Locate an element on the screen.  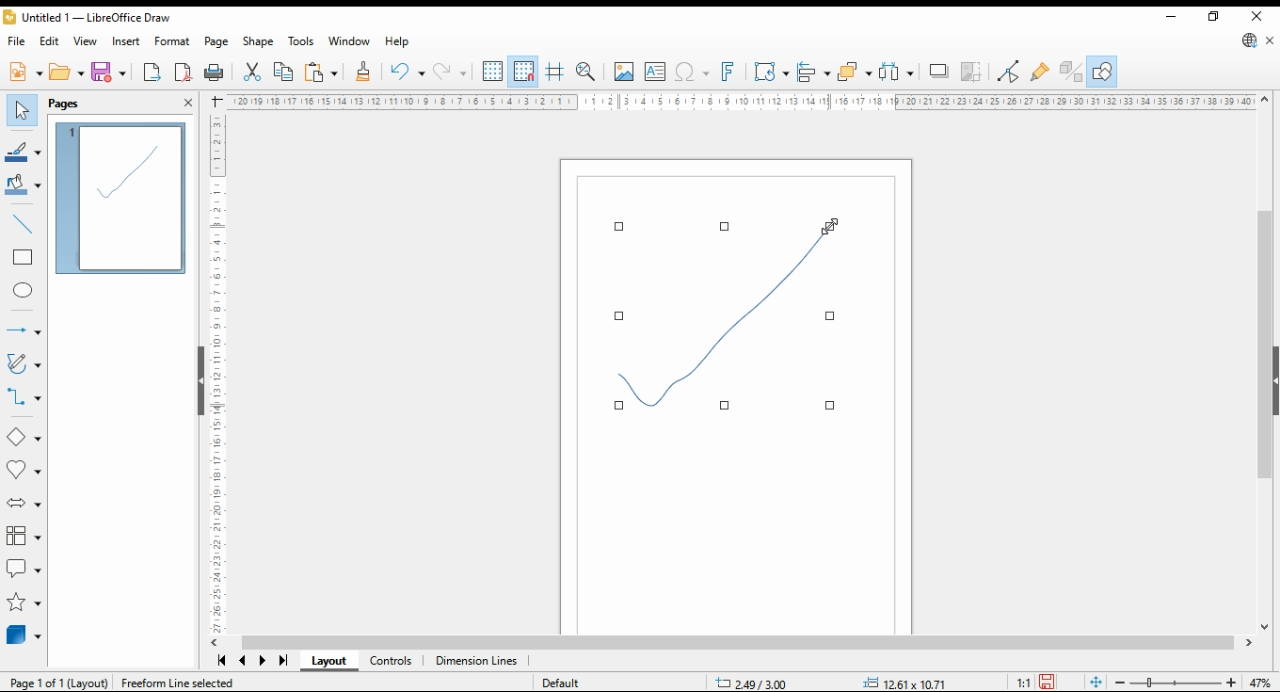
format is located at coordinates (172, 42).